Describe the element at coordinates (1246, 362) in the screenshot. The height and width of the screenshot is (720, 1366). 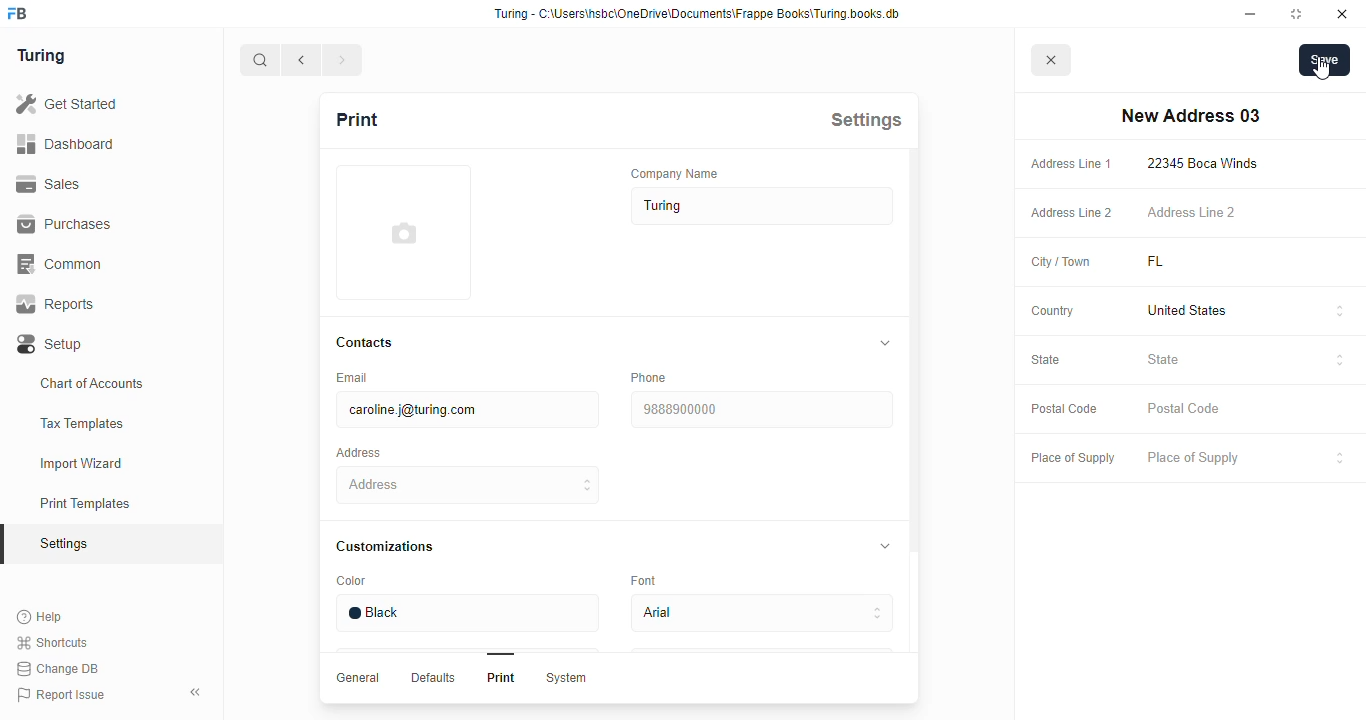
I see `state` at that location.